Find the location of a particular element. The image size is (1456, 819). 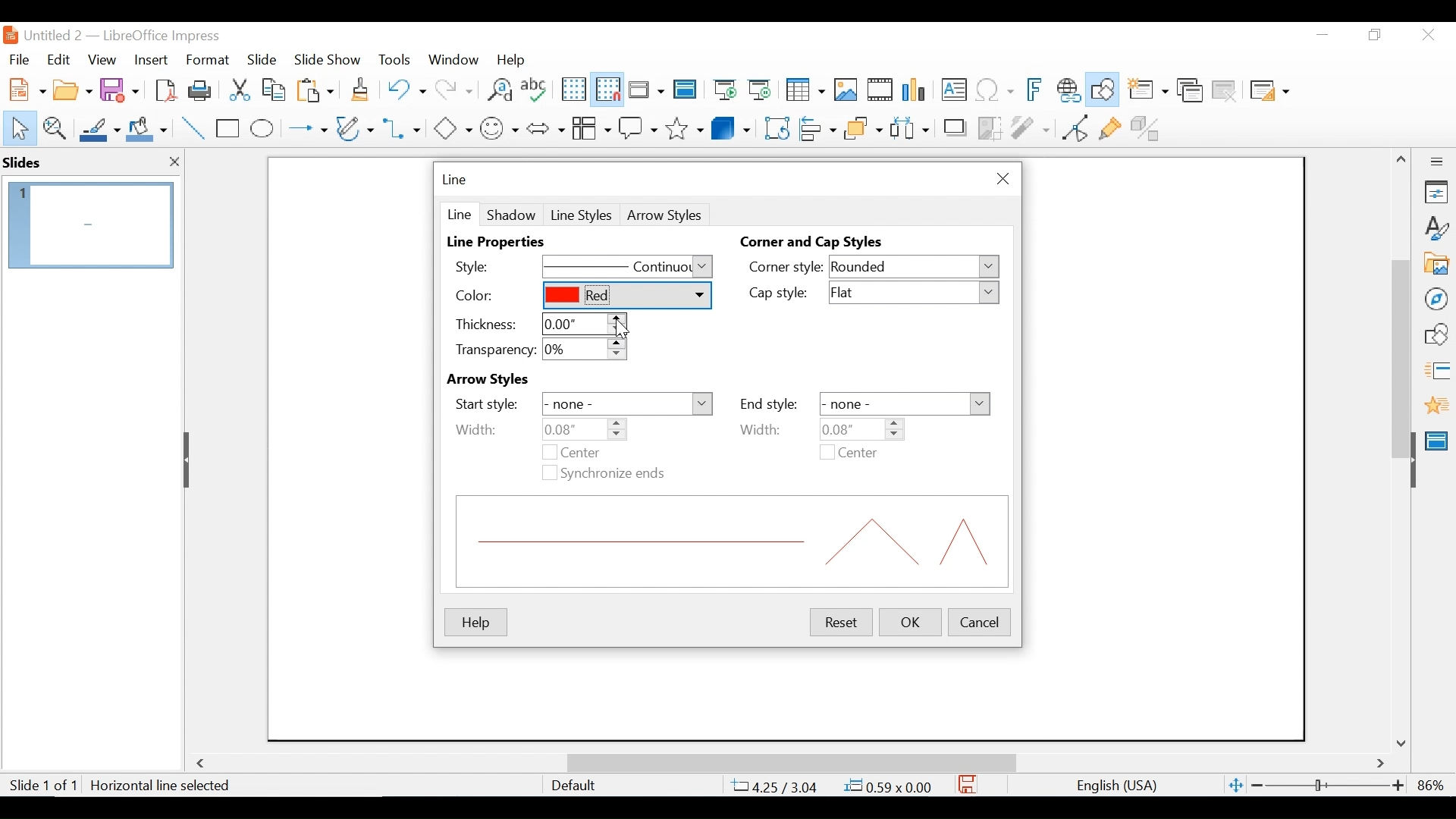

none is located at coordinates (627, 405).